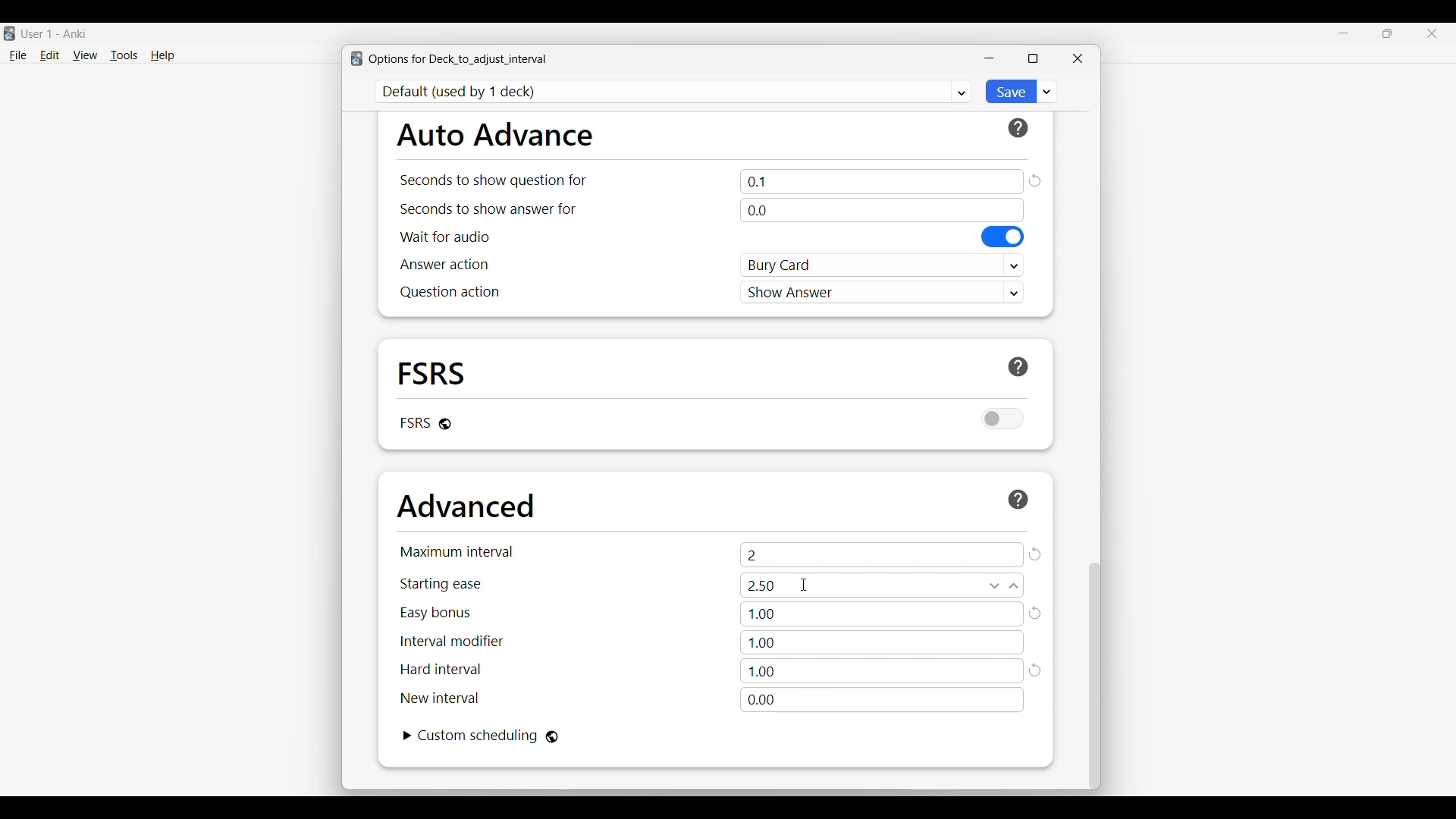  What do you see at coordinates (1037, 613) in the screenshot?
I see `reload` at bounding box center [1037, 613].